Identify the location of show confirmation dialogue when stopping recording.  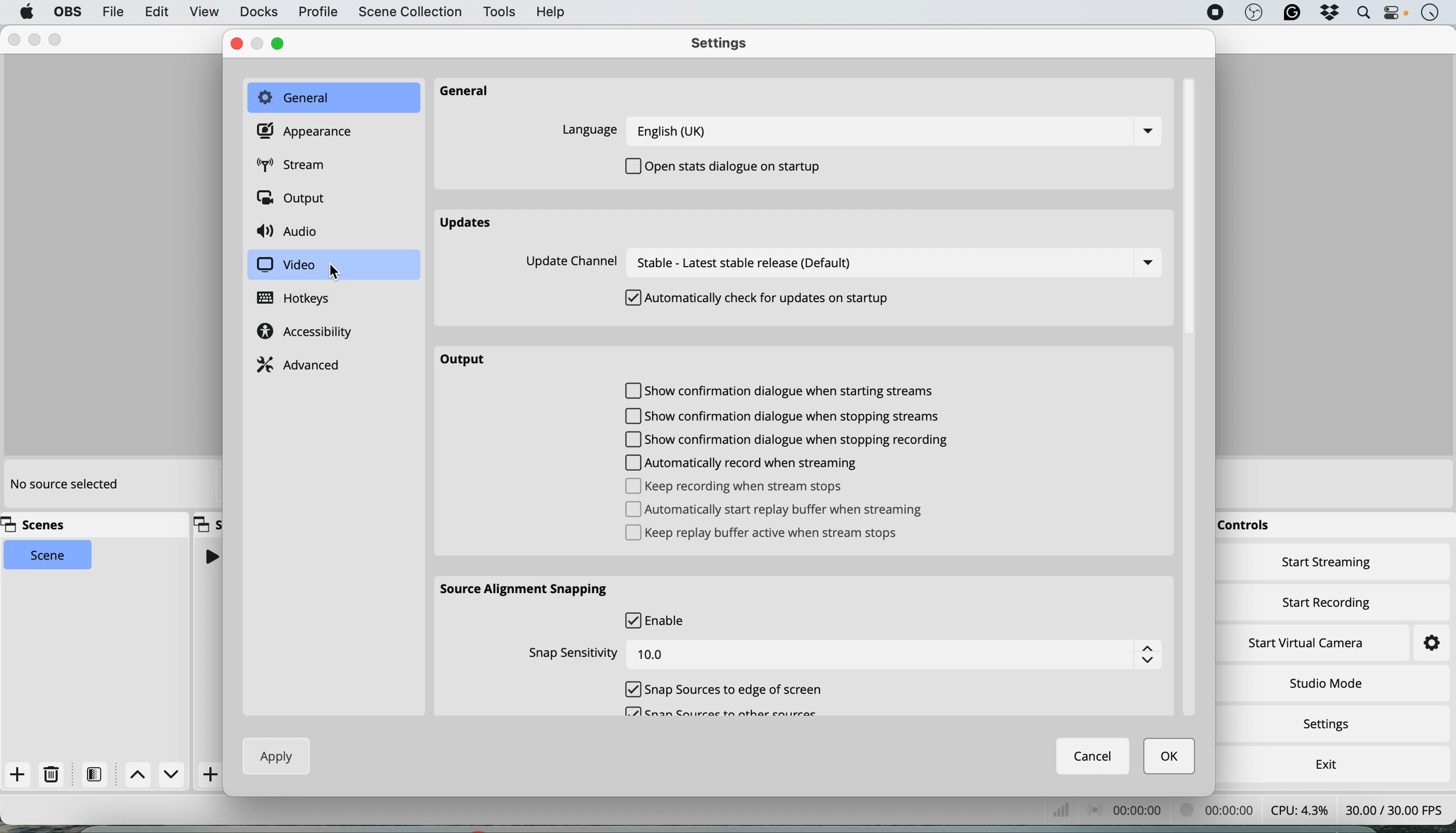
(797, 440).